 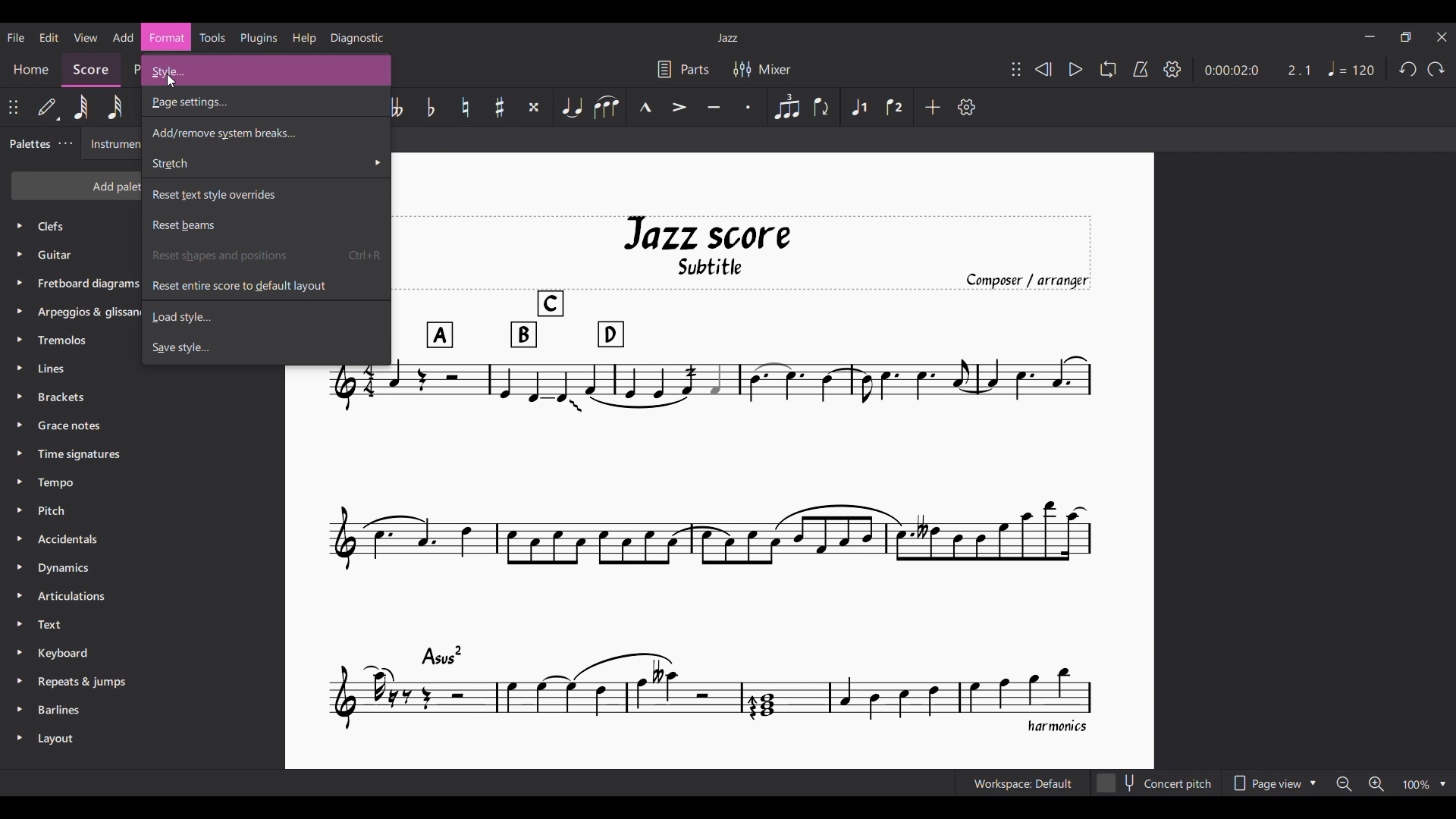 What do you see at coordinates (223, 223) in the screenshot?
I see `Reset beams` at bounding box center [223, 223].